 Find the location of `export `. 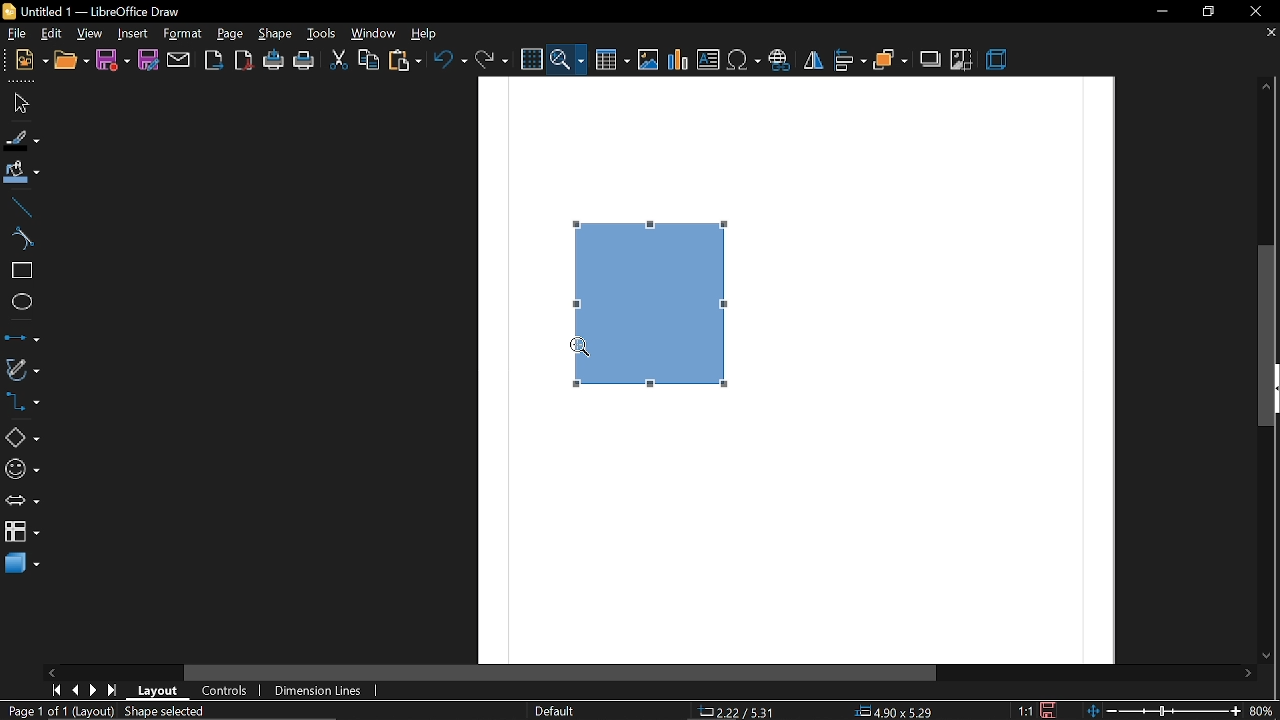

export  is located at coordinates (214, 61).